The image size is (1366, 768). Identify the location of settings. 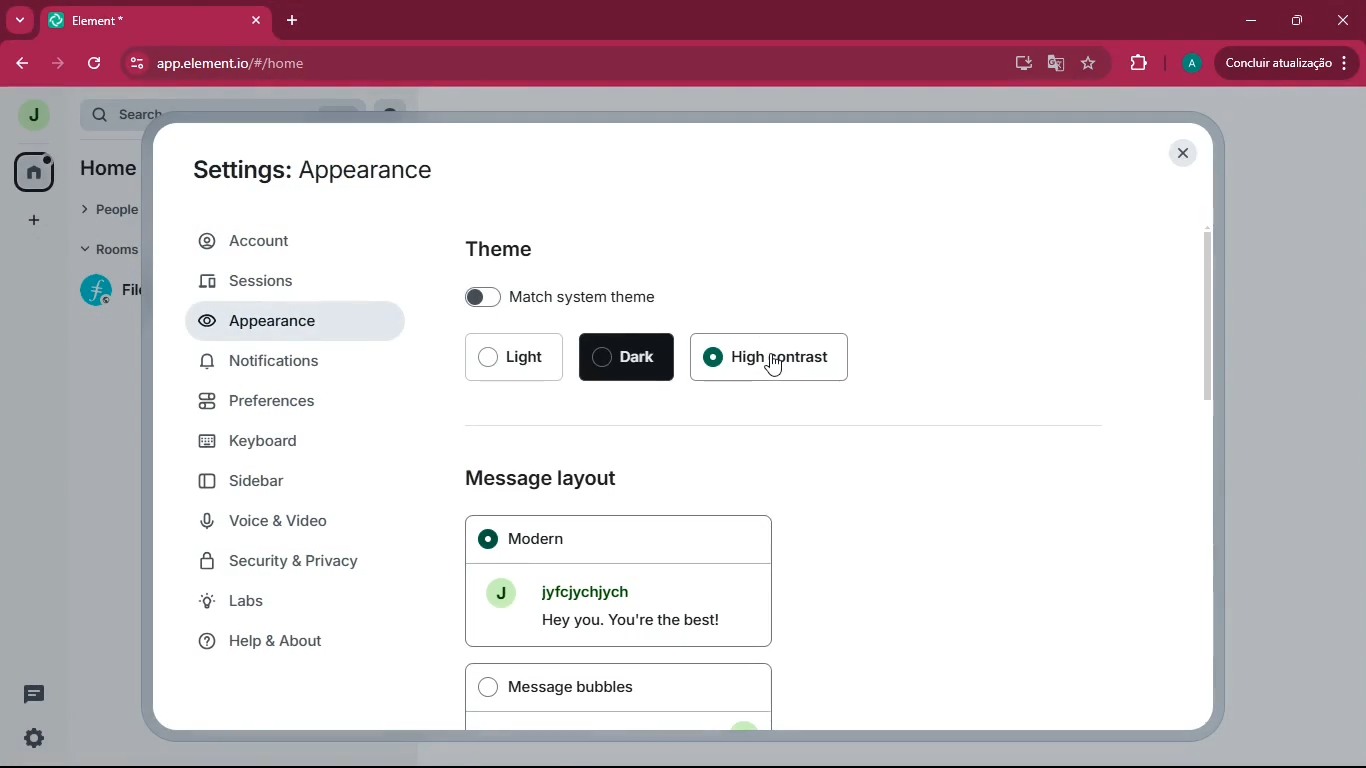
(35, 738).